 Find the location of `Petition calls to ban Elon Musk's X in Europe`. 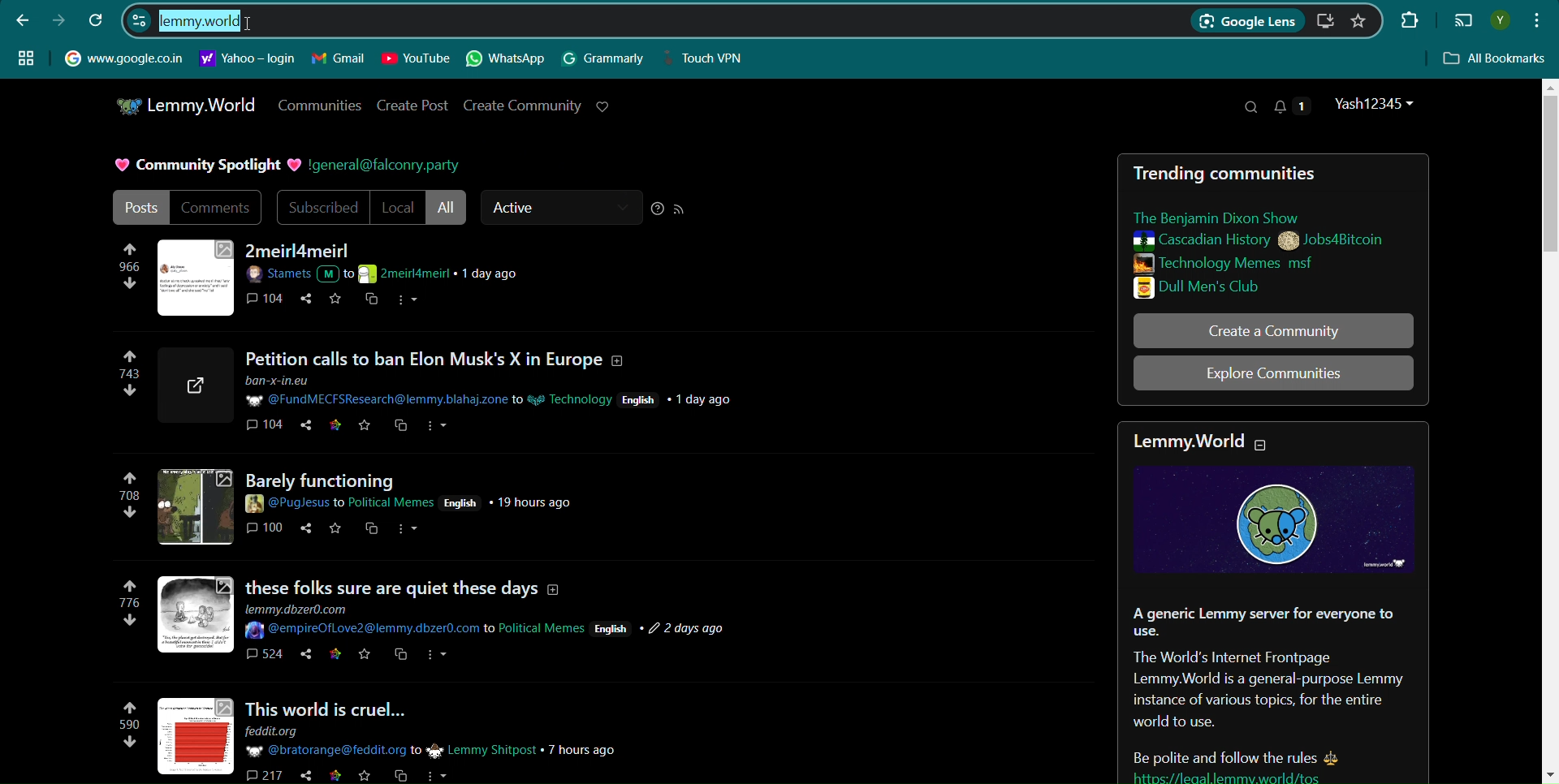

Petition calls to ban Elon Musk's X in Europe is located at coordinates (443, 360).